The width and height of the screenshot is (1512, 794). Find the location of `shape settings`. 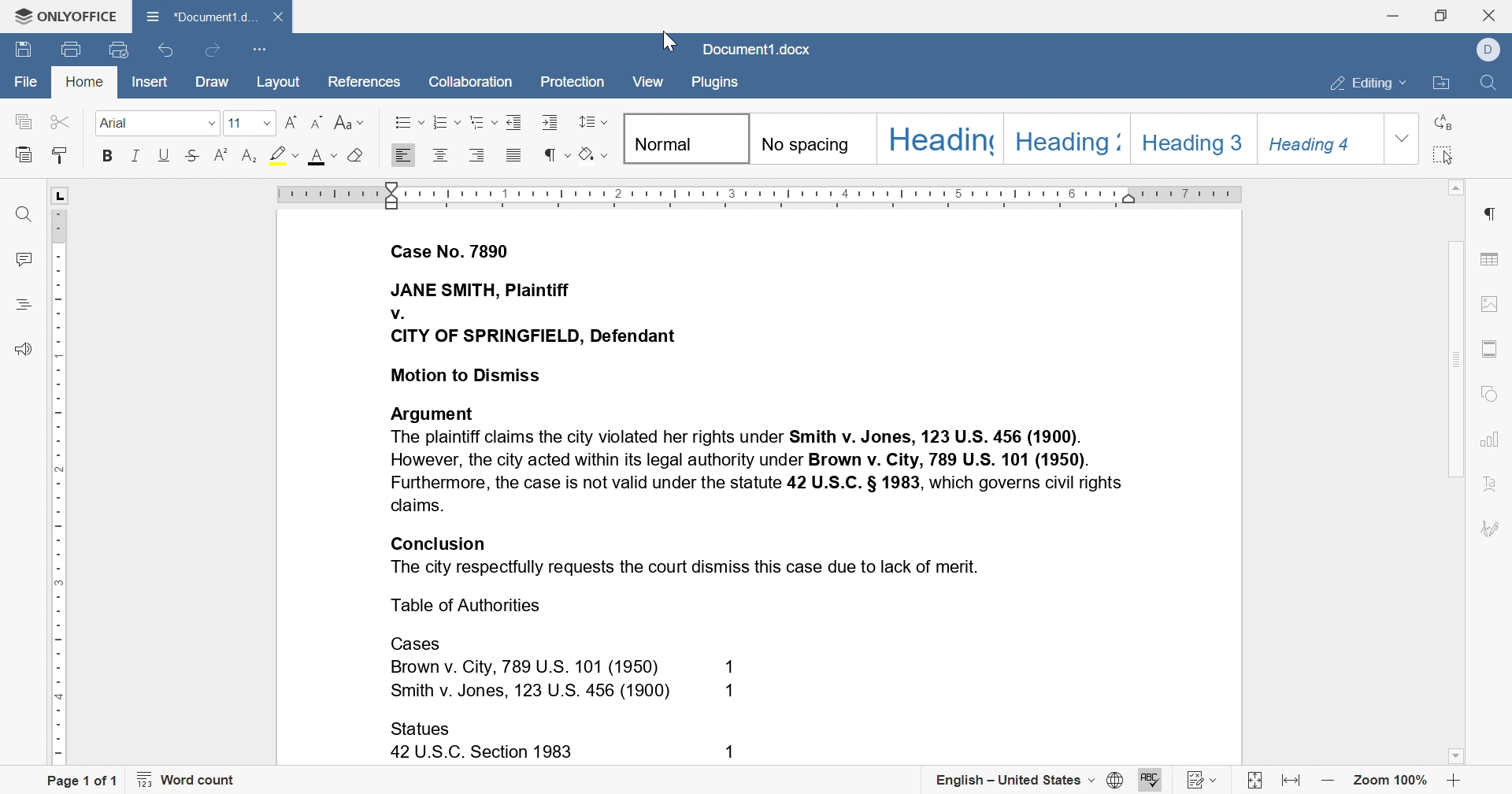

shape settings is located at coordinates (1487, 393).